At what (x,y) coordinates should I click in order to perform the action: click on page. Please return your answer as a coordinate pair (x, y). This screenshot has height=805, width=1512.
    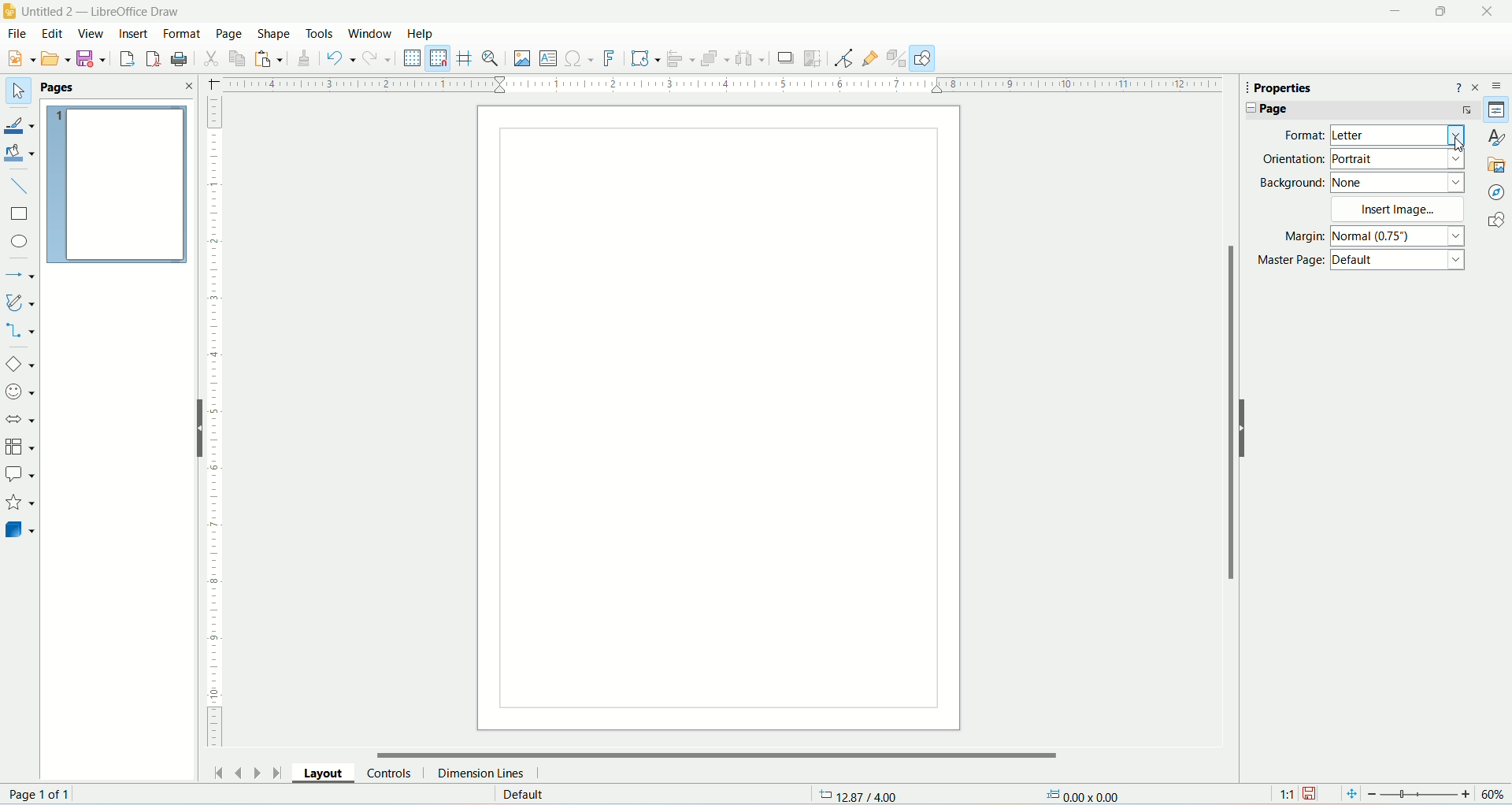
    Looking at the image, I should click on (1355, 111).